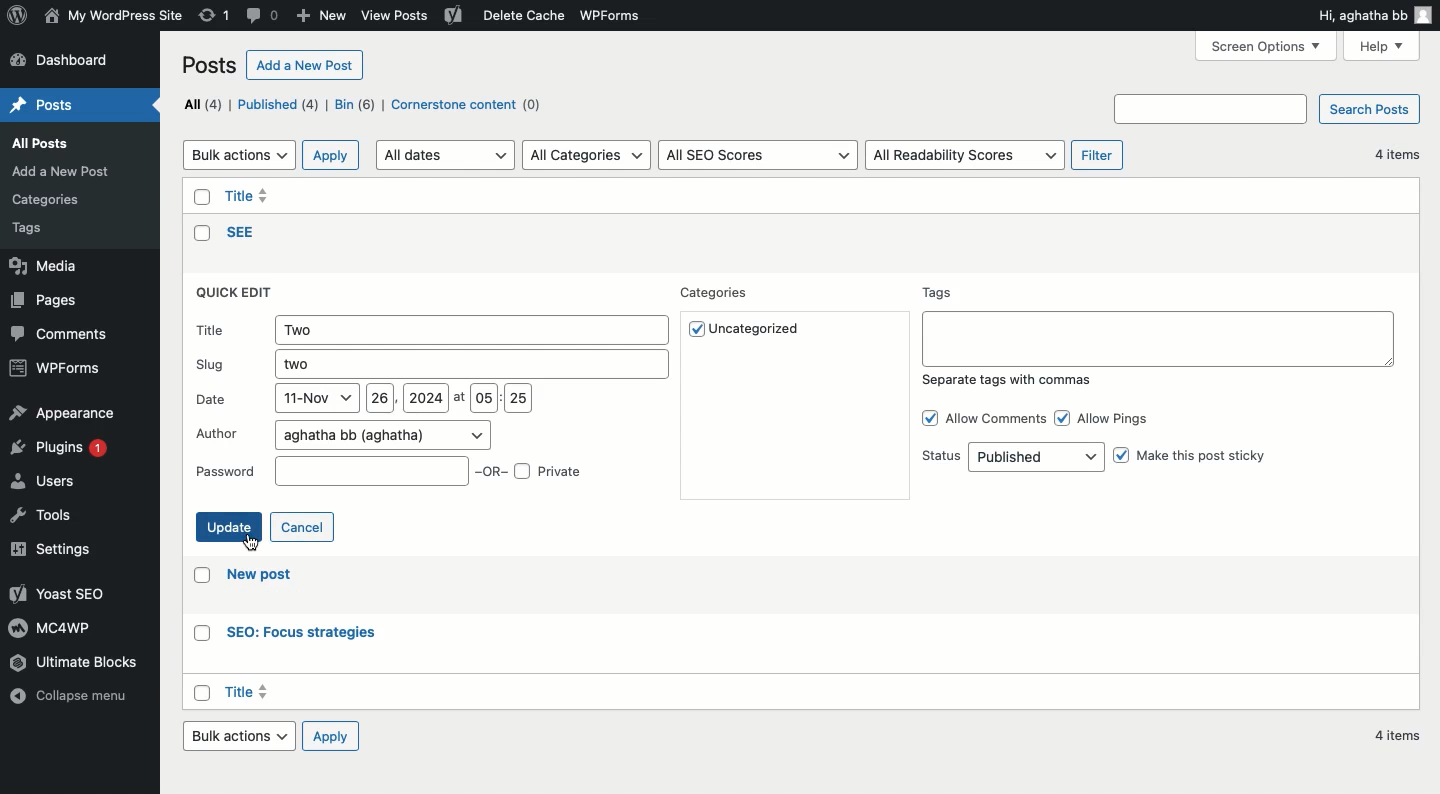 This screenshot has width=1440, height=794. Describe the element at coordinates (203, 691) in the screenshot. I see `Checkbox` at that location.